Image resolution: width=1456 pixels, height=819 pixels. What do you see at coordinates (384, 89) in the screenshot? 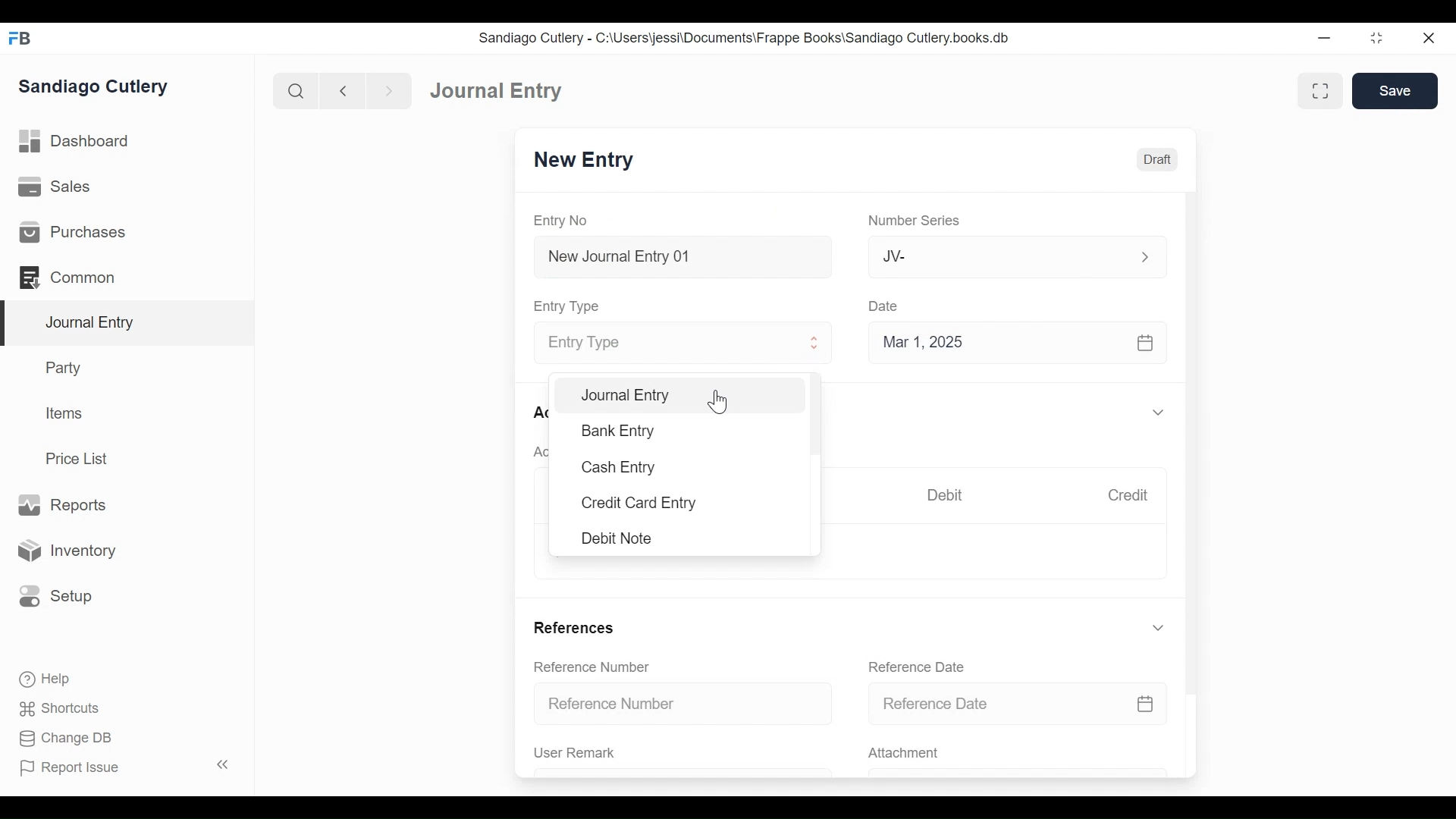
I see `next` at bounding box center [384, 89].